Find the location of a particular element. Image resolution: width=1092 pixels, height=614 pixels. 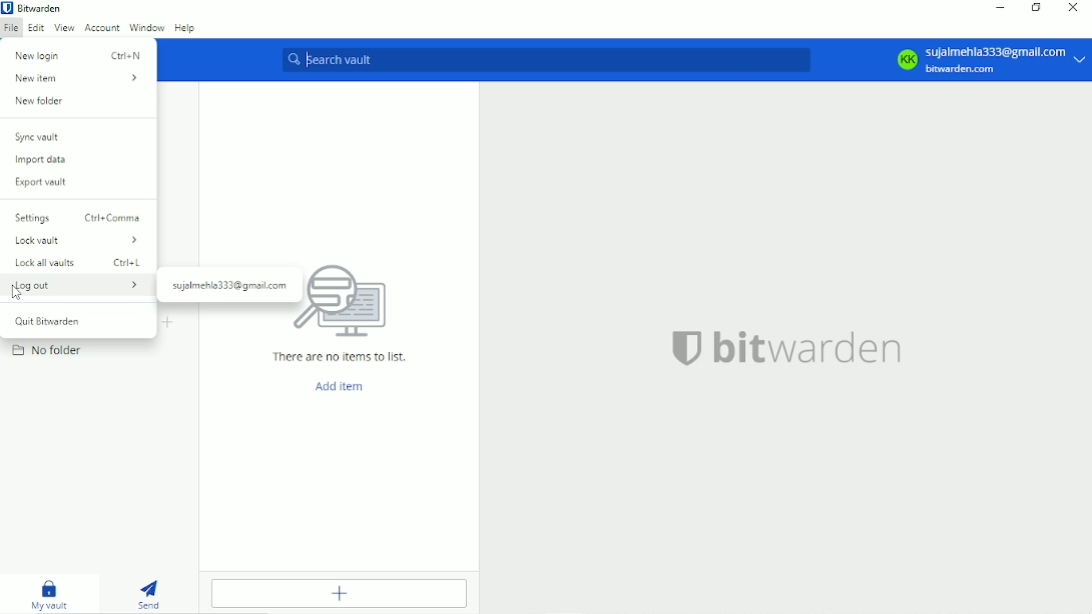

Edit is located at coordinates (35, 28).